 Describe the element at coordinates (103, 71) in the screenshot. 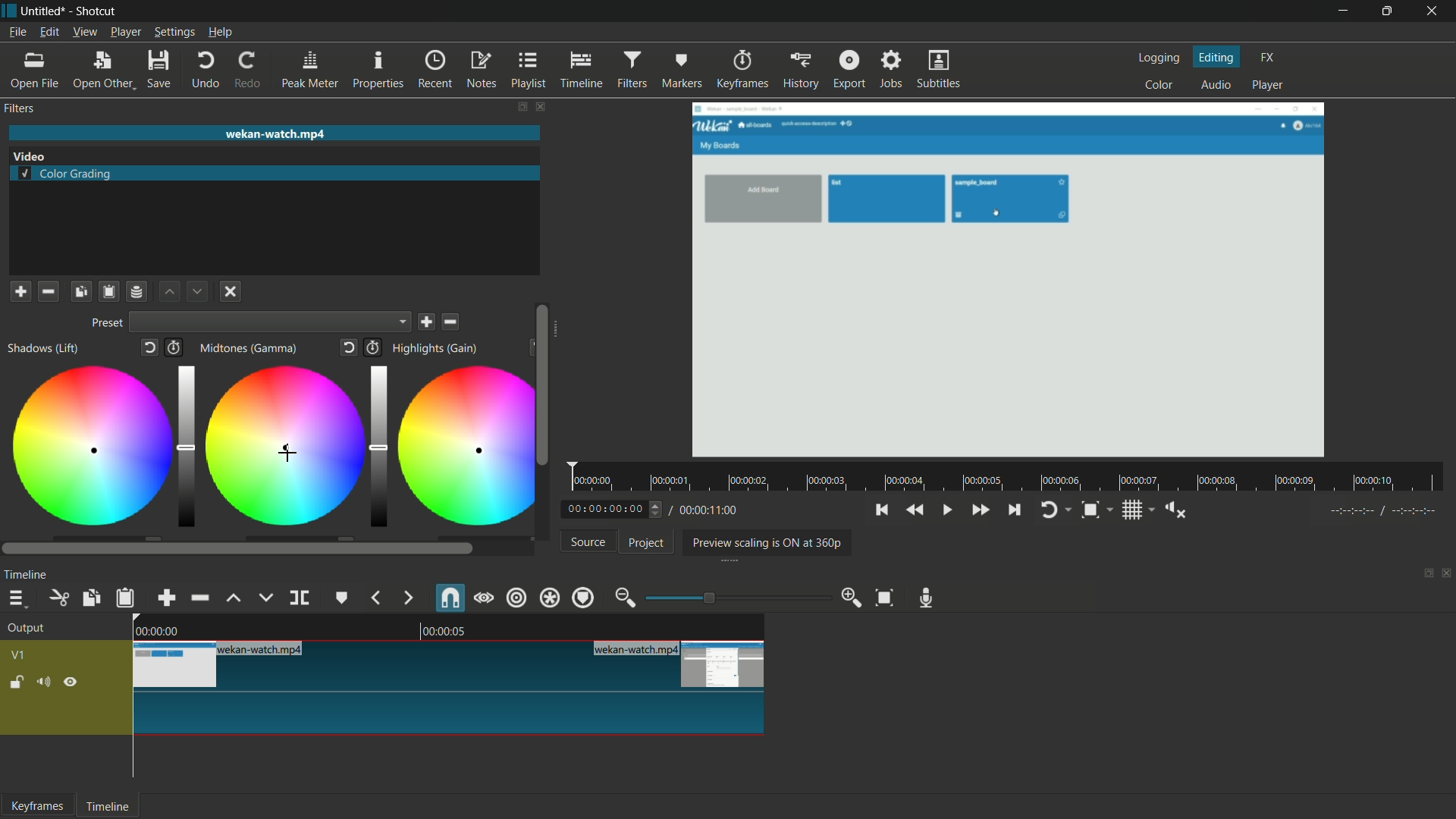

I see `open other` at that location.